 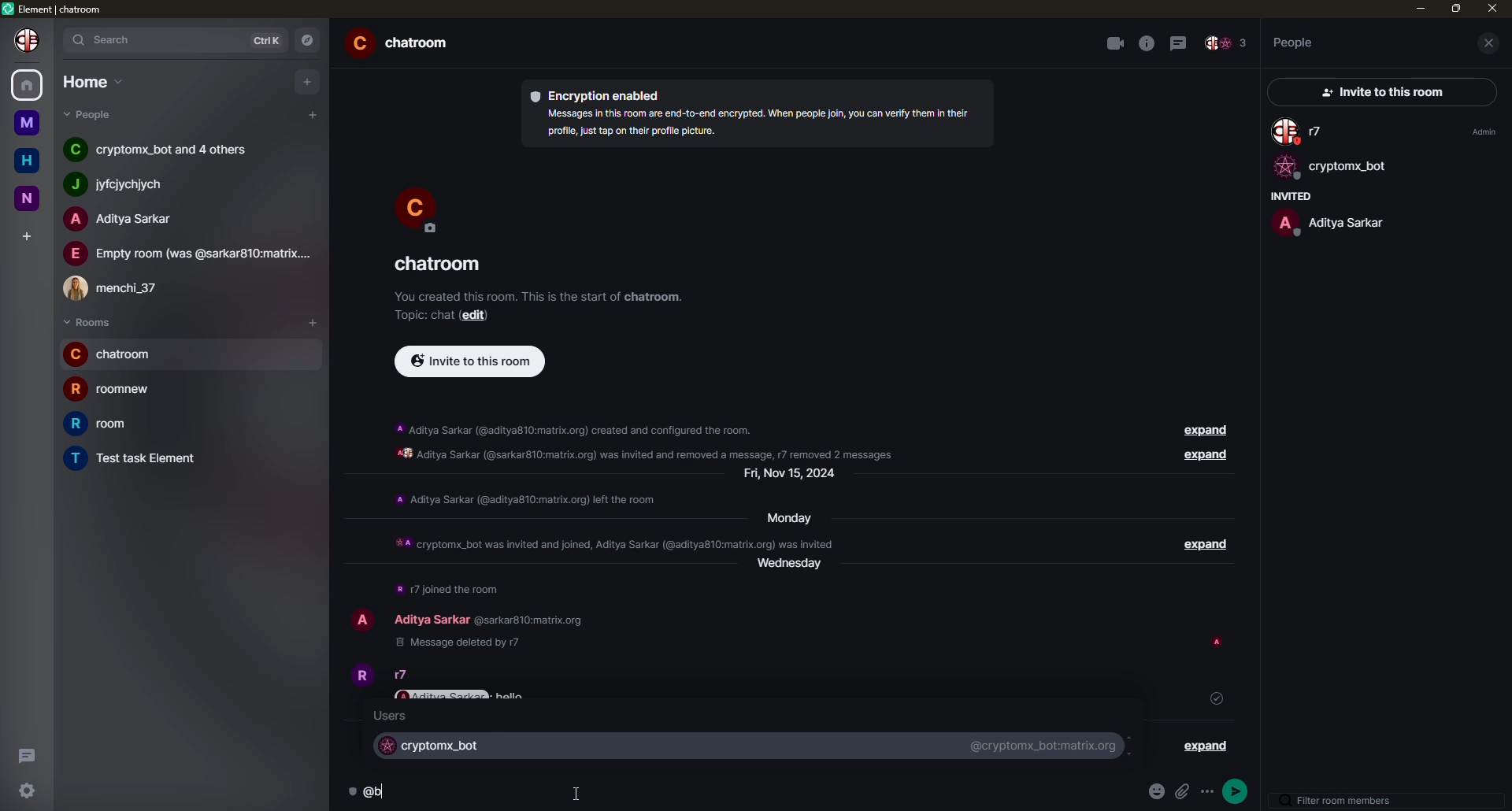 What do you see at coordinates (26, 123) in the screenshot?
I see `m` at bounding box center [26, 123].